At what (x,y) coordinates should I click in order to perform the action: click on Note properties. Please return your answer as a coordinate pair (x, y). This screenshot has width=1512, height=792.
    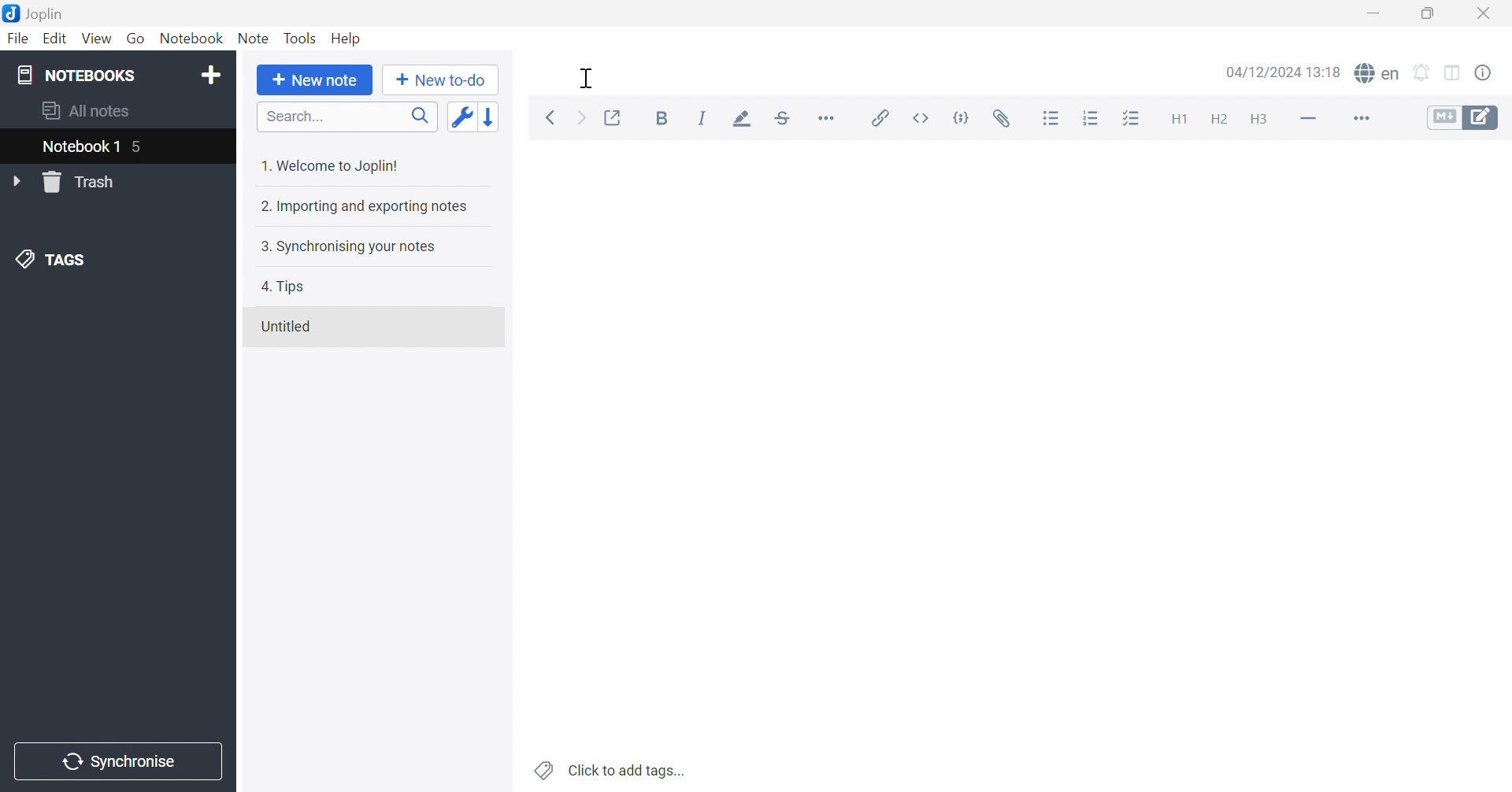
    Looking at the image, I should click on (1490, 73).